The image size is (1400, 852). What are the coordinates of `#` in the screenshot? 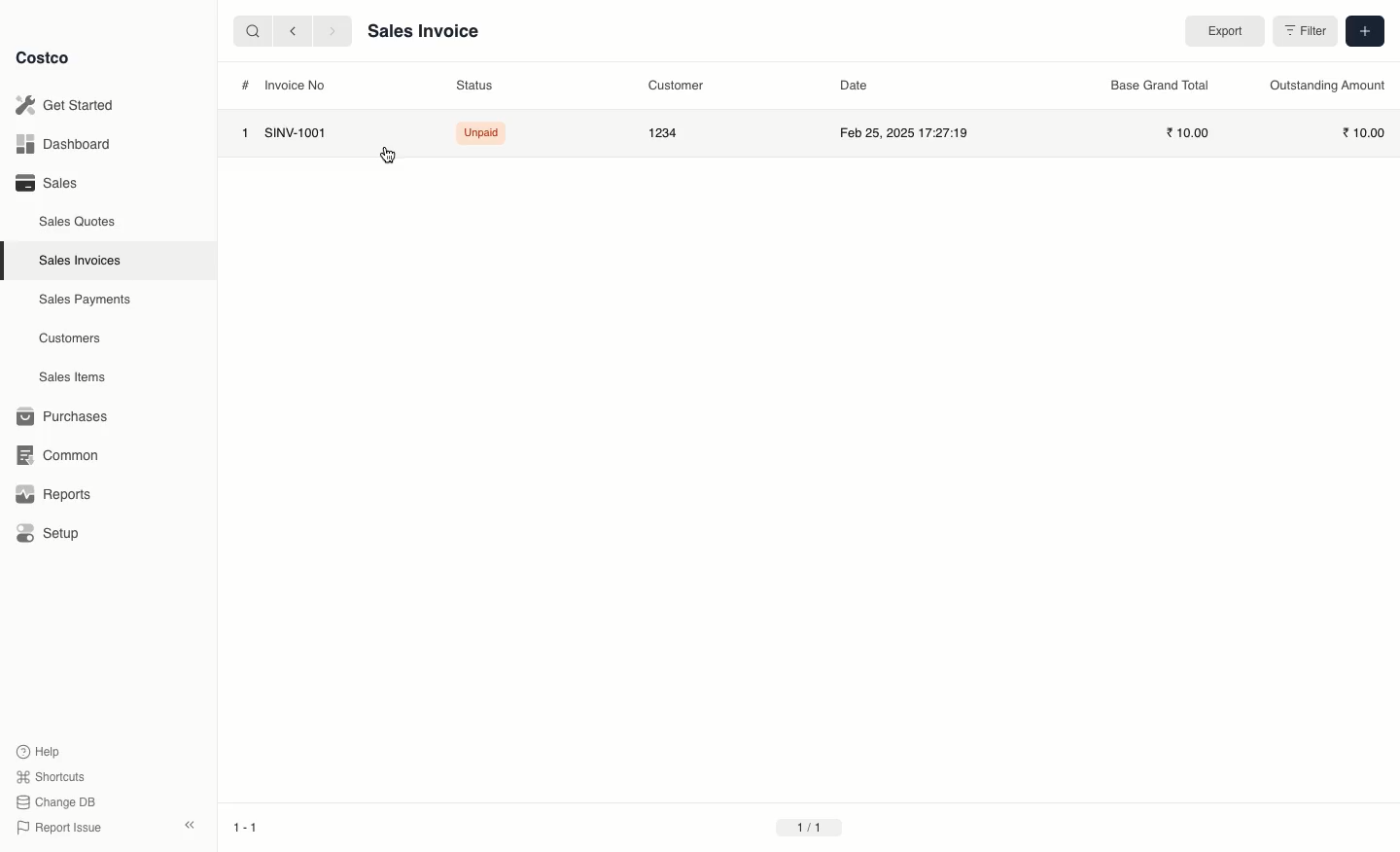 It's located at (246, 85).